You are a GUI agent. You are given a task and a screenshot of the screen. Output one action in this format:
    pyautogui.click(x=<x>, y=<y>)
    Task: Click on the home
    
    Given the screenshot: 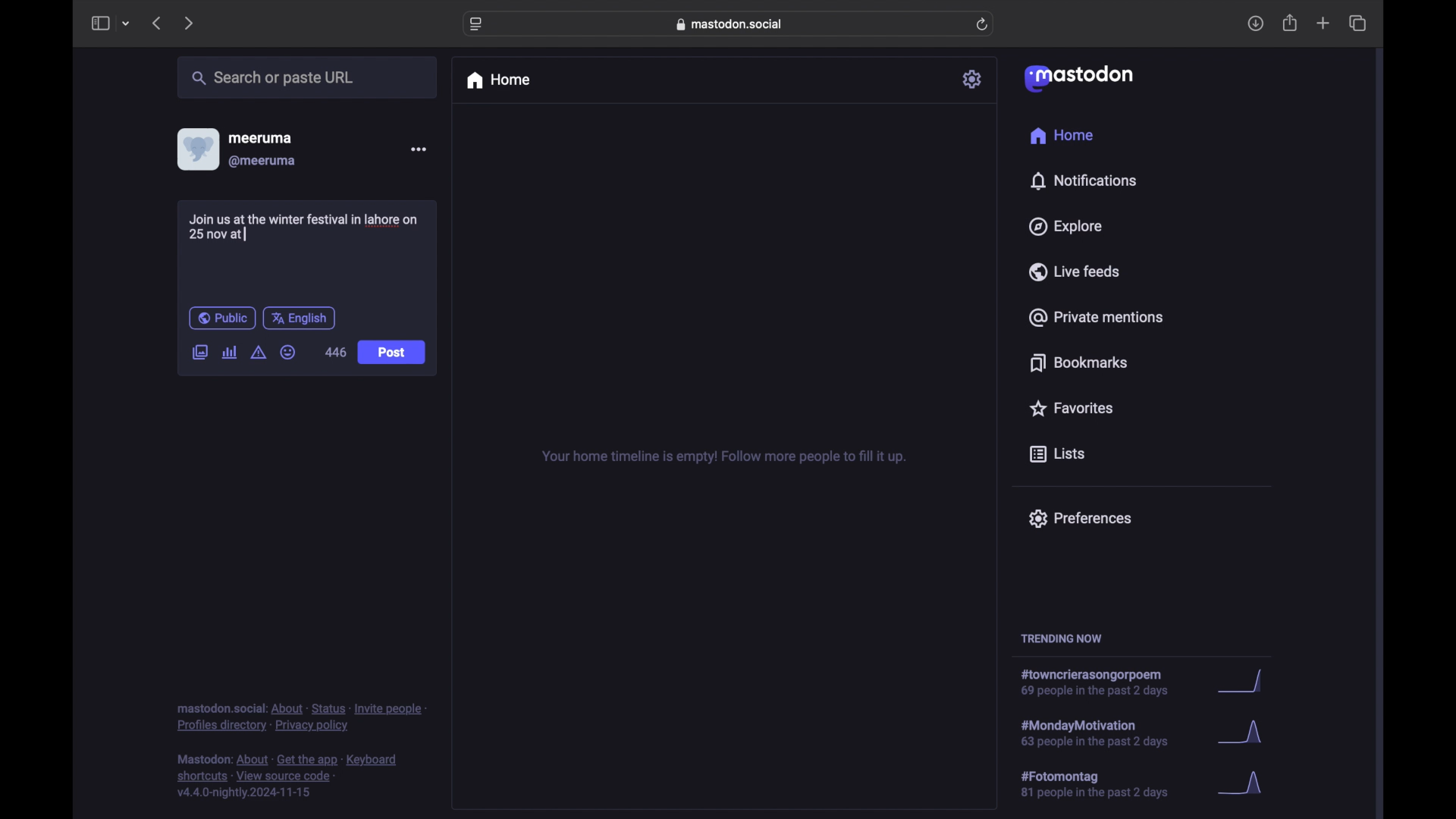 What is the action you would take?
    pyautogui.click(x=1061, y=136)
    